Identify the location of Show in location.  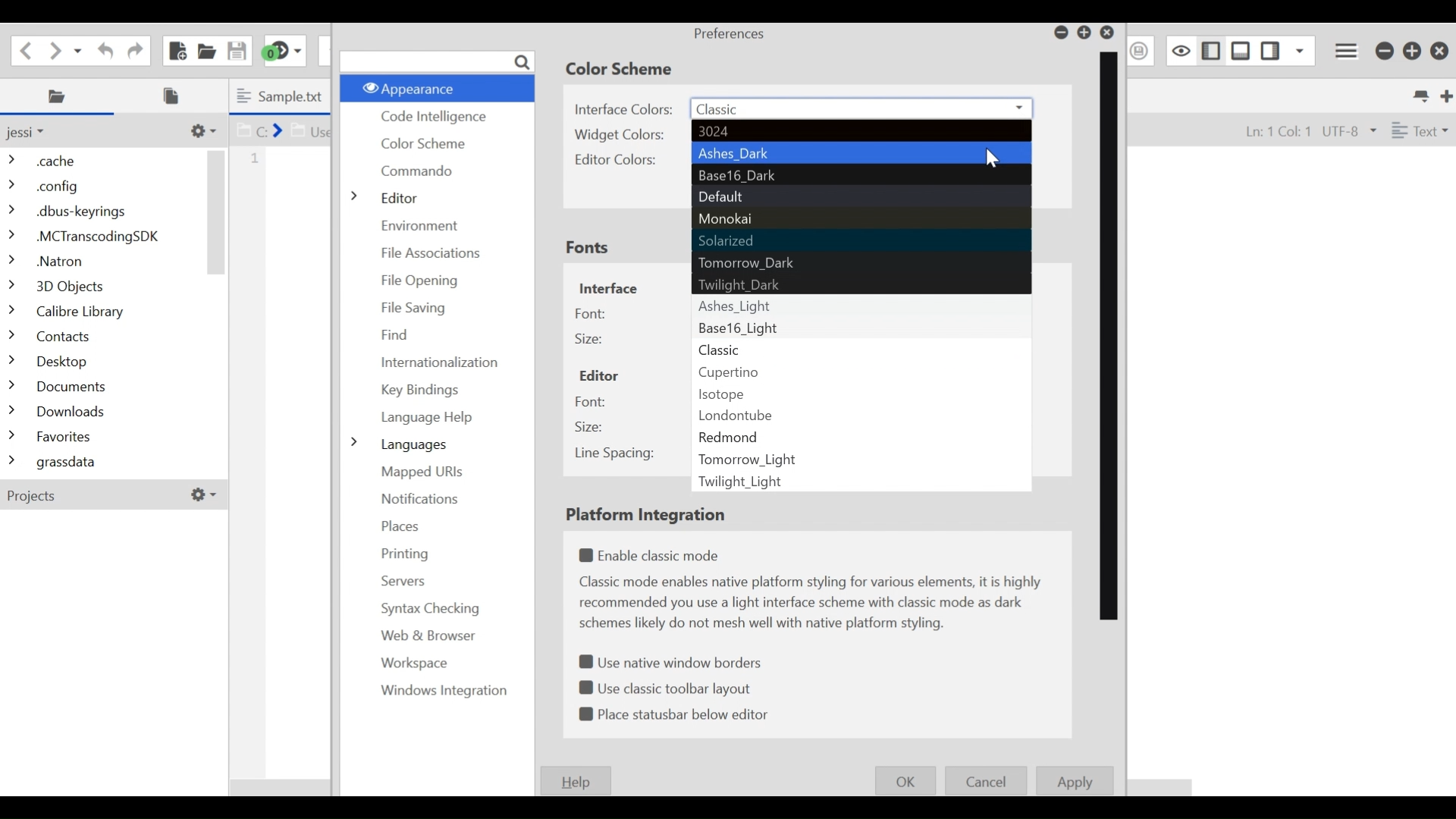
(284, 129).